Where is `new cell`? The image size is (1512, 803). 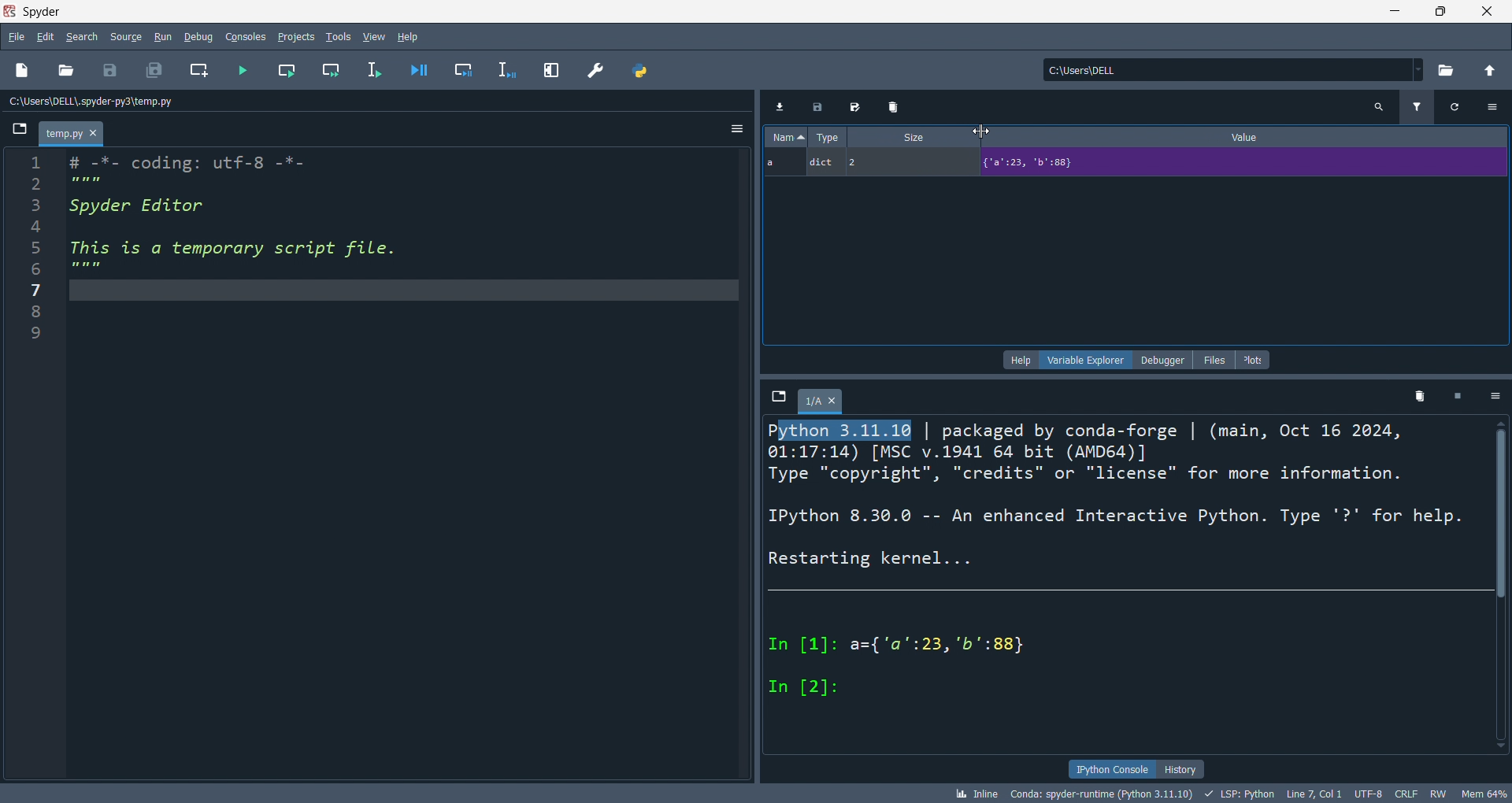 new cell is located at coordinates (196, 69).